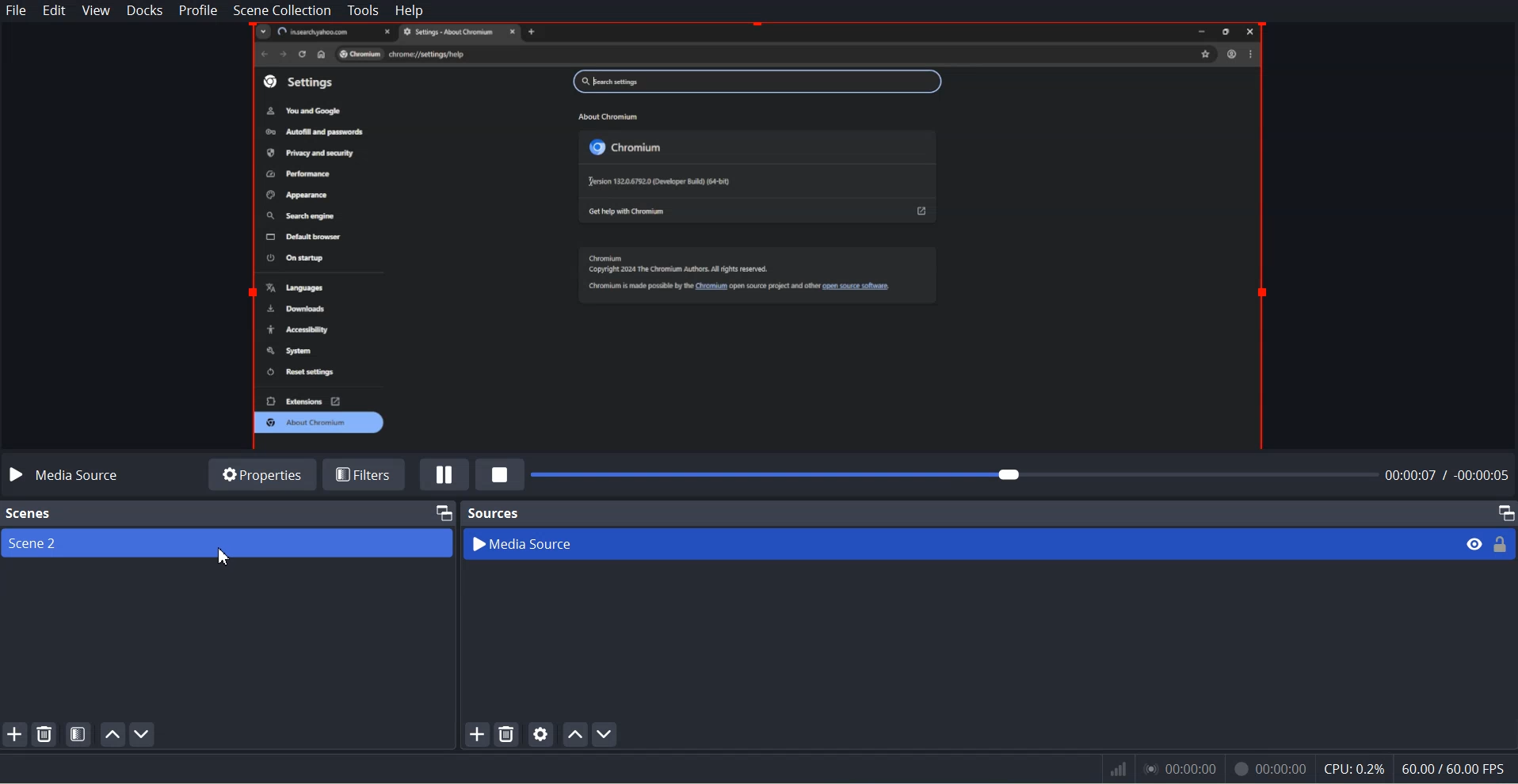 The image size is (1518, 784). What do you see at coordinates (227, 544) in the screenshot?
I see `Scene` at bounding box center [227, 544].